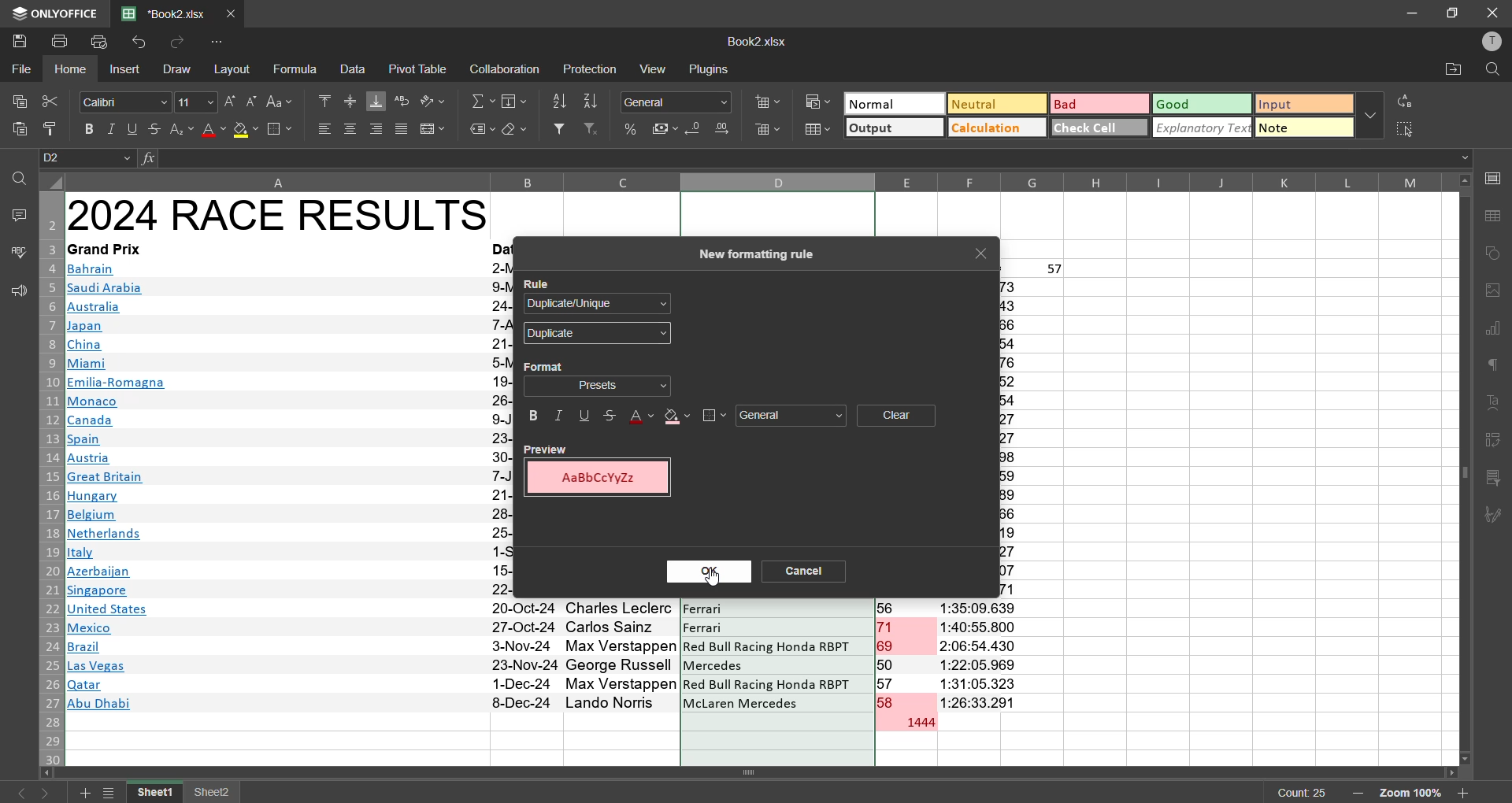 The width and height of the screenshot is (1512, 803). I want to click on fill color, so click(246, 131).